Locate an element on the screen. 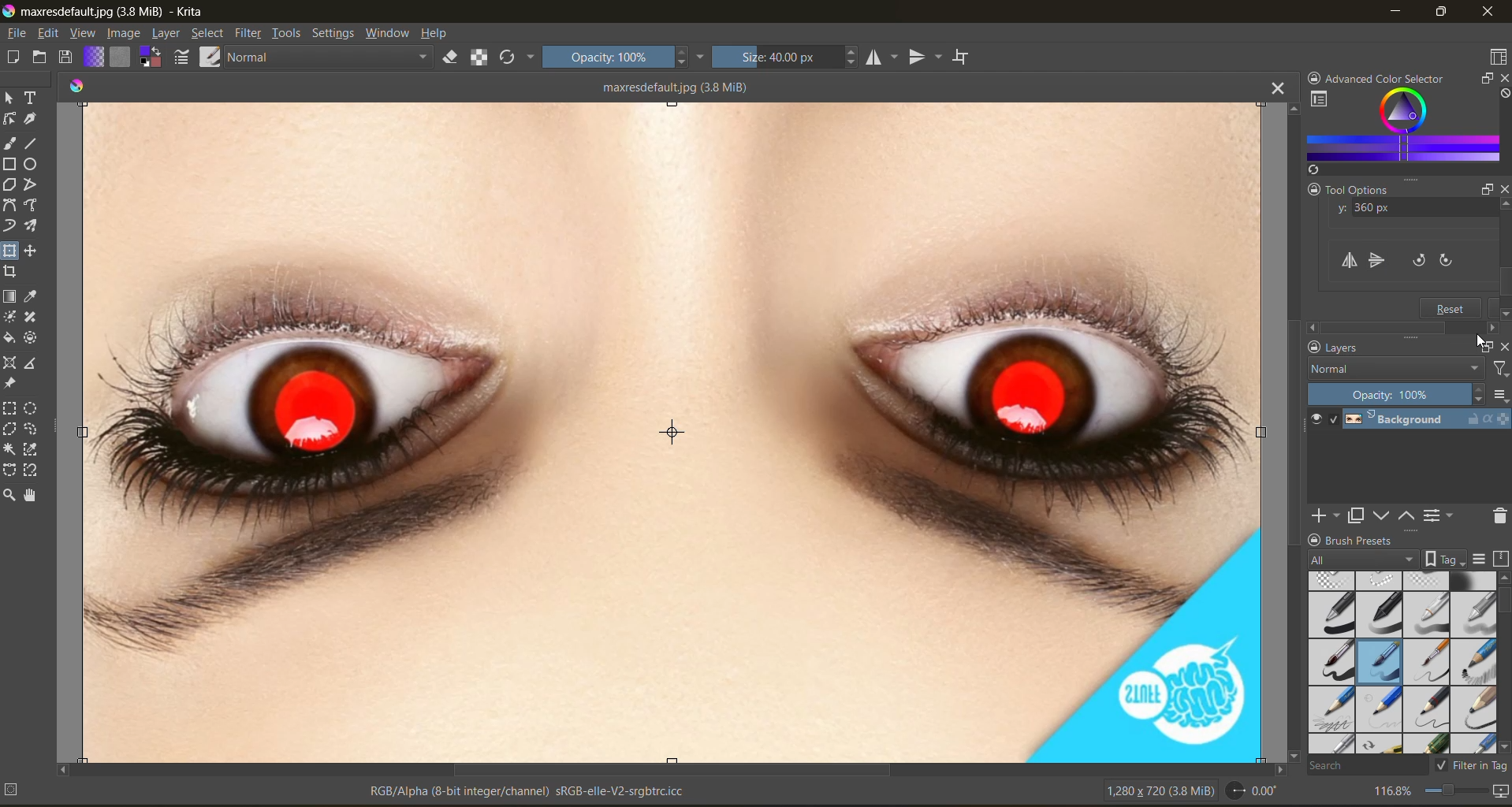 The width and height of the screenshot is (1512, 807). fill patterns is located at coordinates (123, 58).